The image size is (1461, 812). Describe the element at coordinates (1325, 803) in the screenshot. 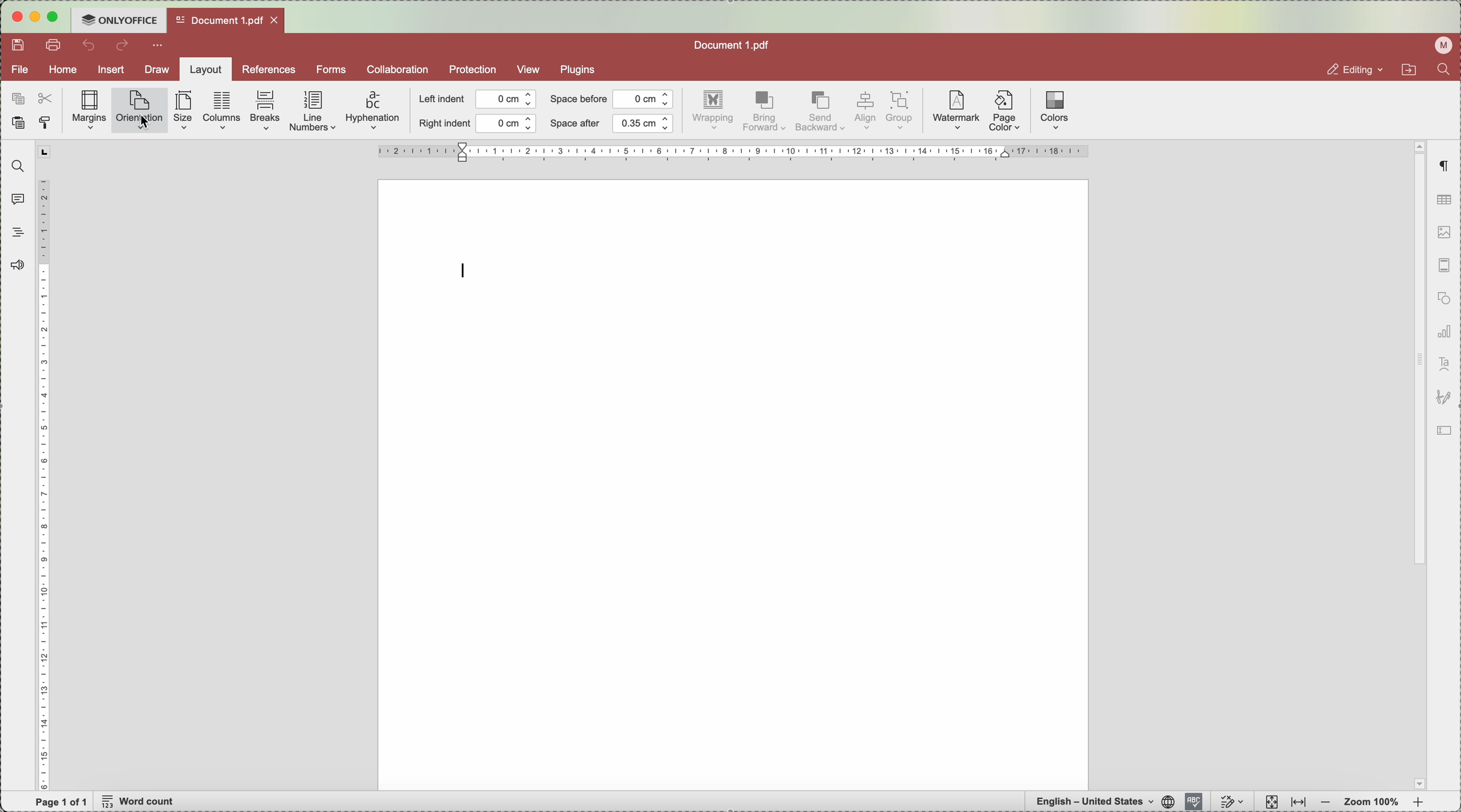

I see `zoom out` at that location.